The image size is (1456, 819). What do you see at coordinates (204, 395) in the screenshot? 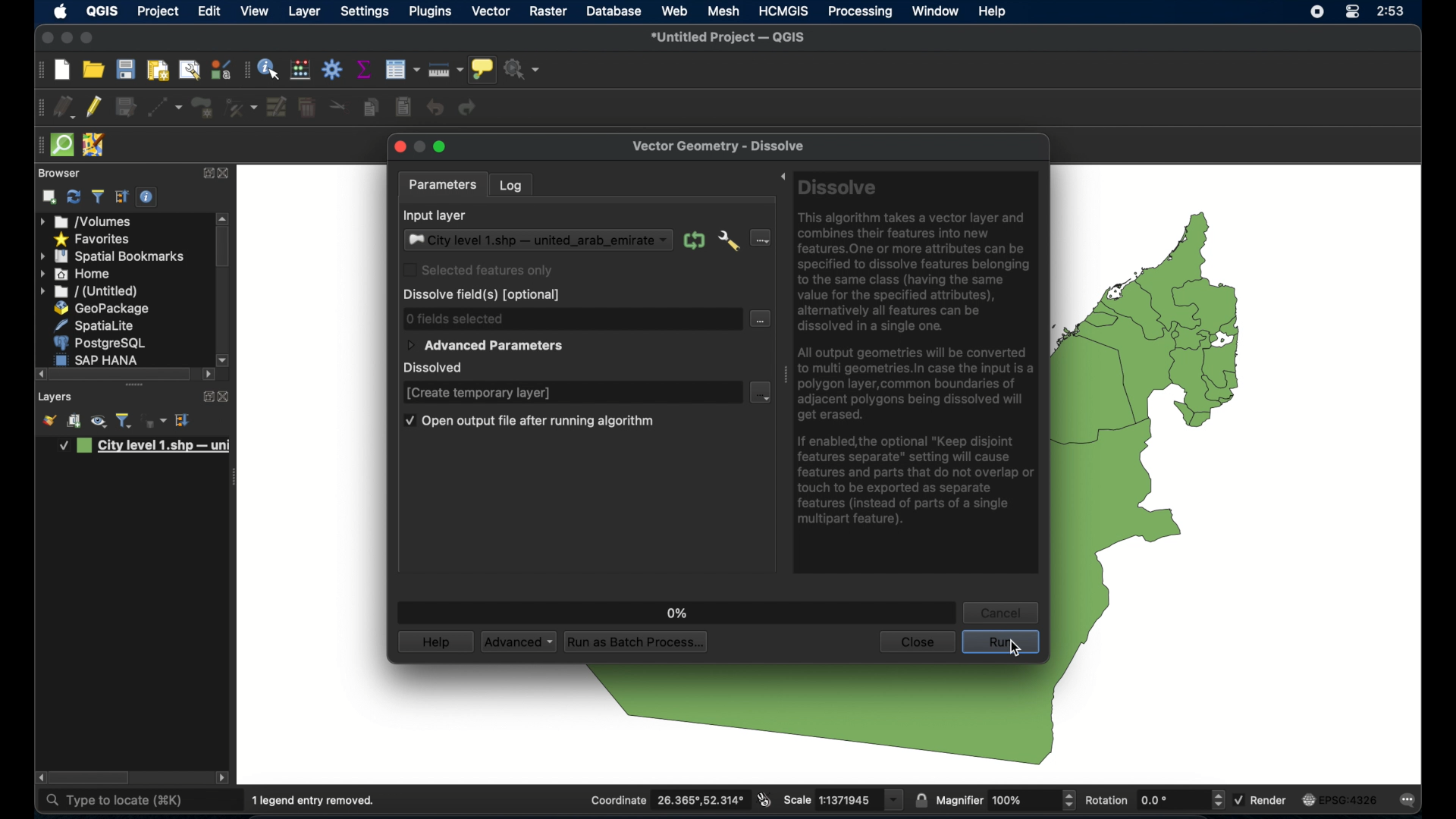
I see `expand` at bounding box center [204, 395].